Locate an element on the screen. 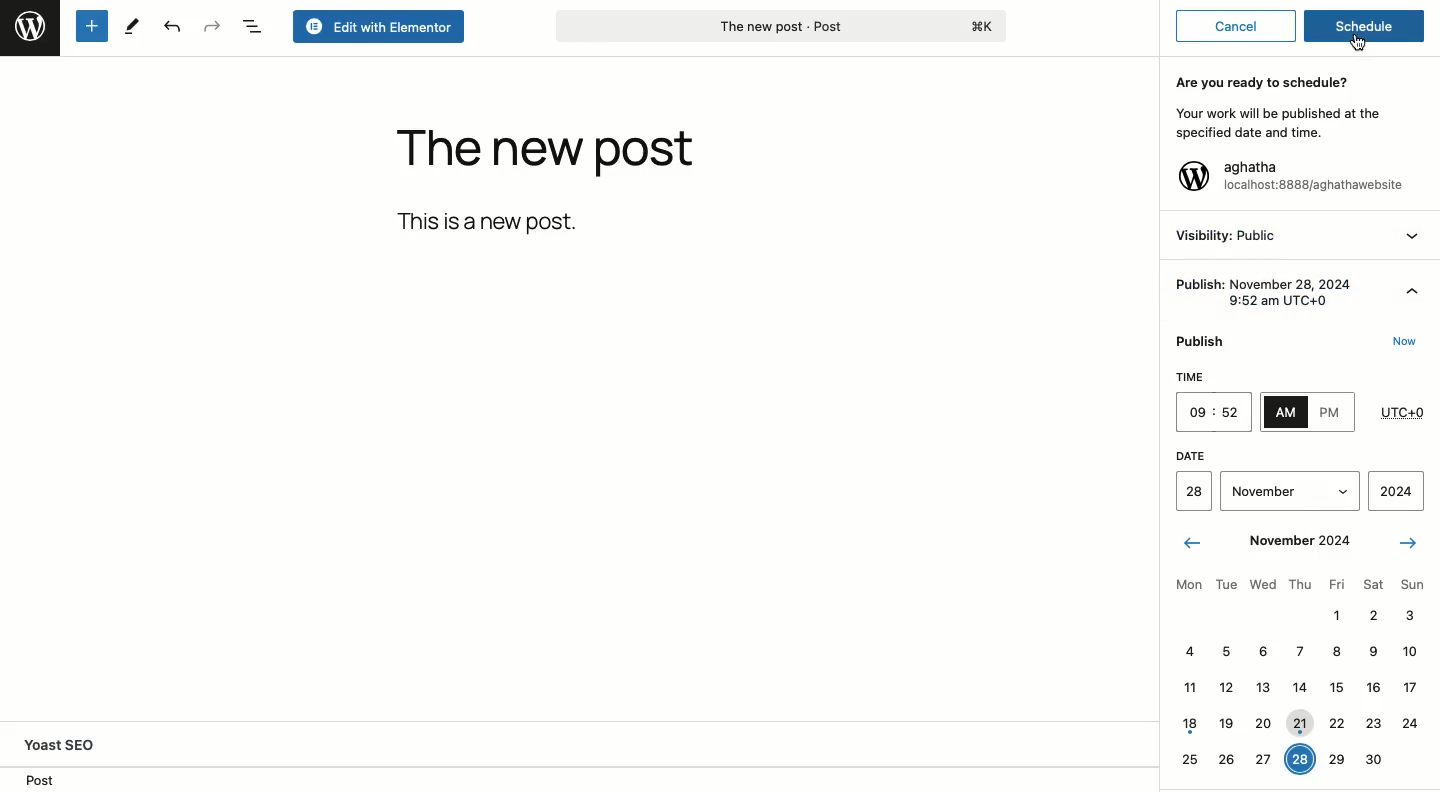  Time is located at coordinates (1212, 377).